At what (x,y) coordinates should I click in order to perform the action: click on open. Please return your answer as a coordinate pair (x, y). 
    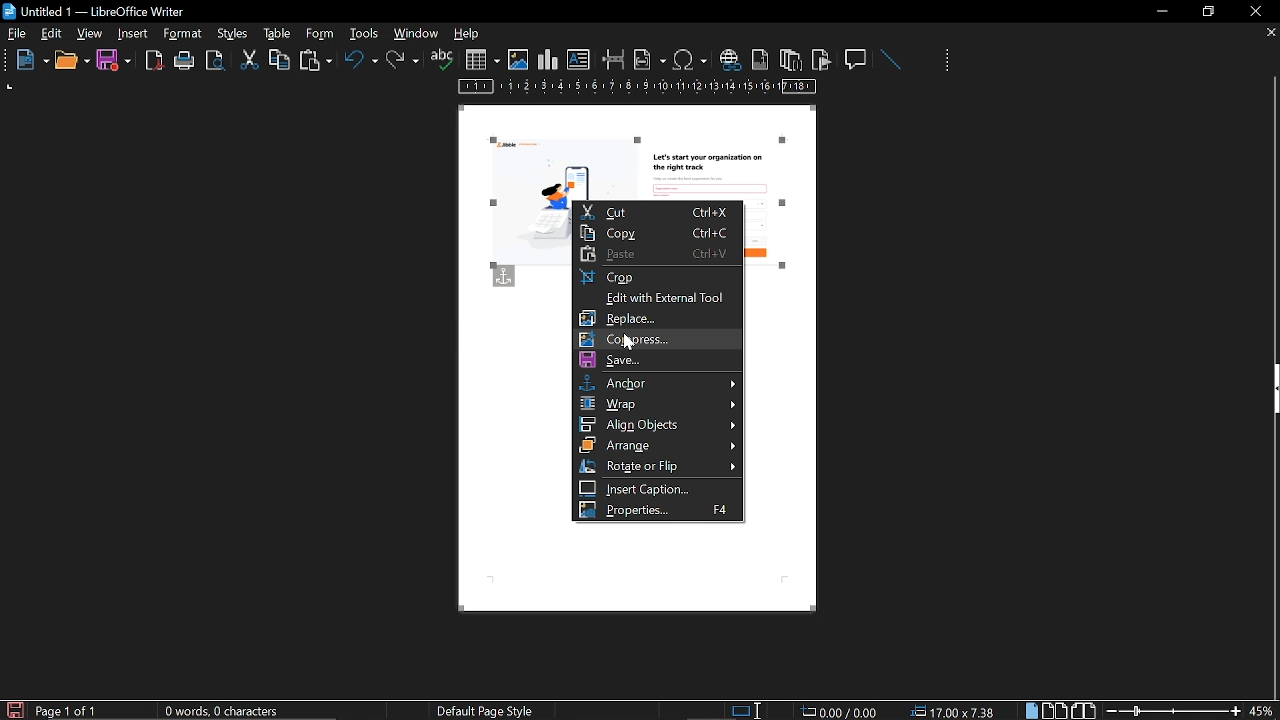
    Looking at the image, I should click on (71, 61).